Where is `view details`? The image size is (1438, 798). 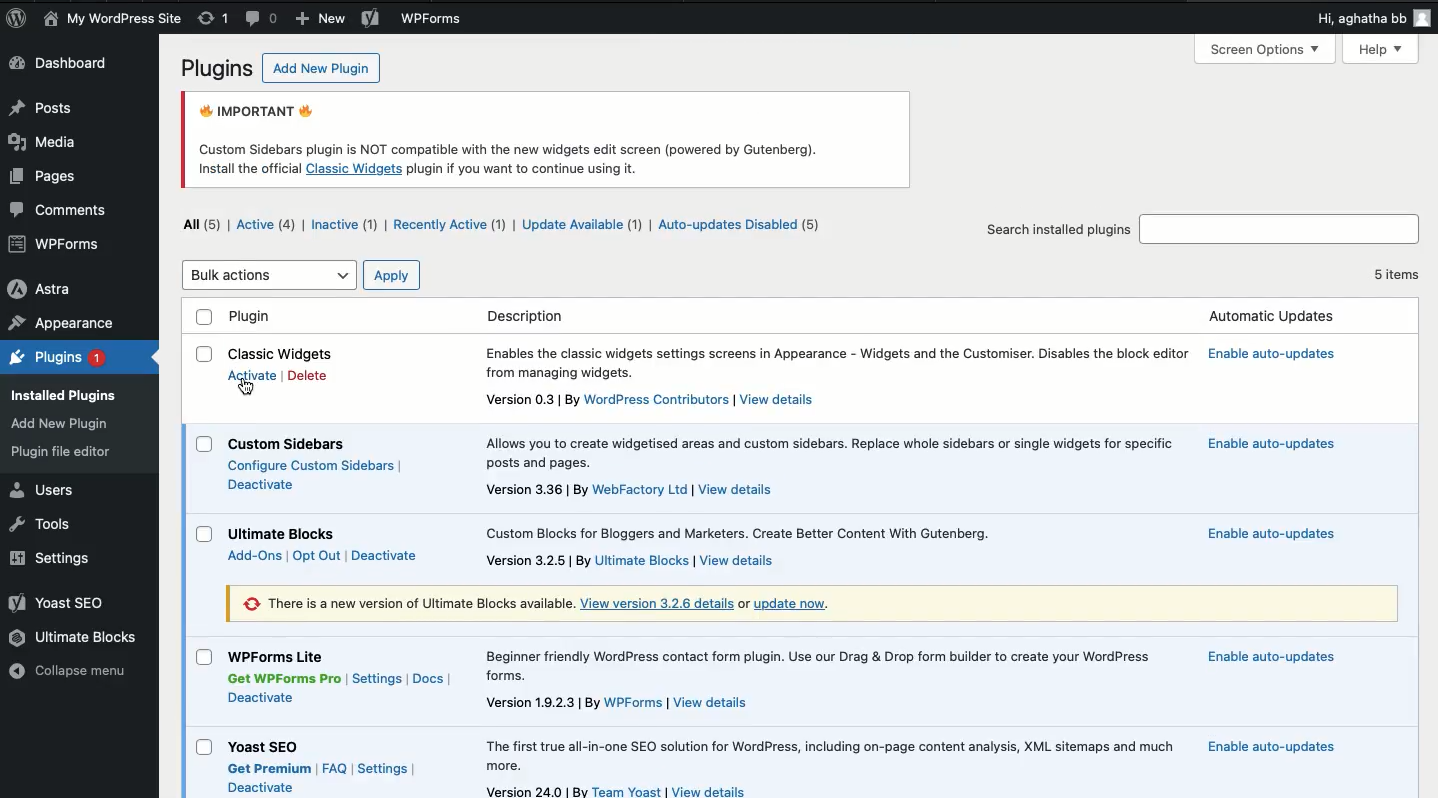
view details is located at coordinates (657, 603).